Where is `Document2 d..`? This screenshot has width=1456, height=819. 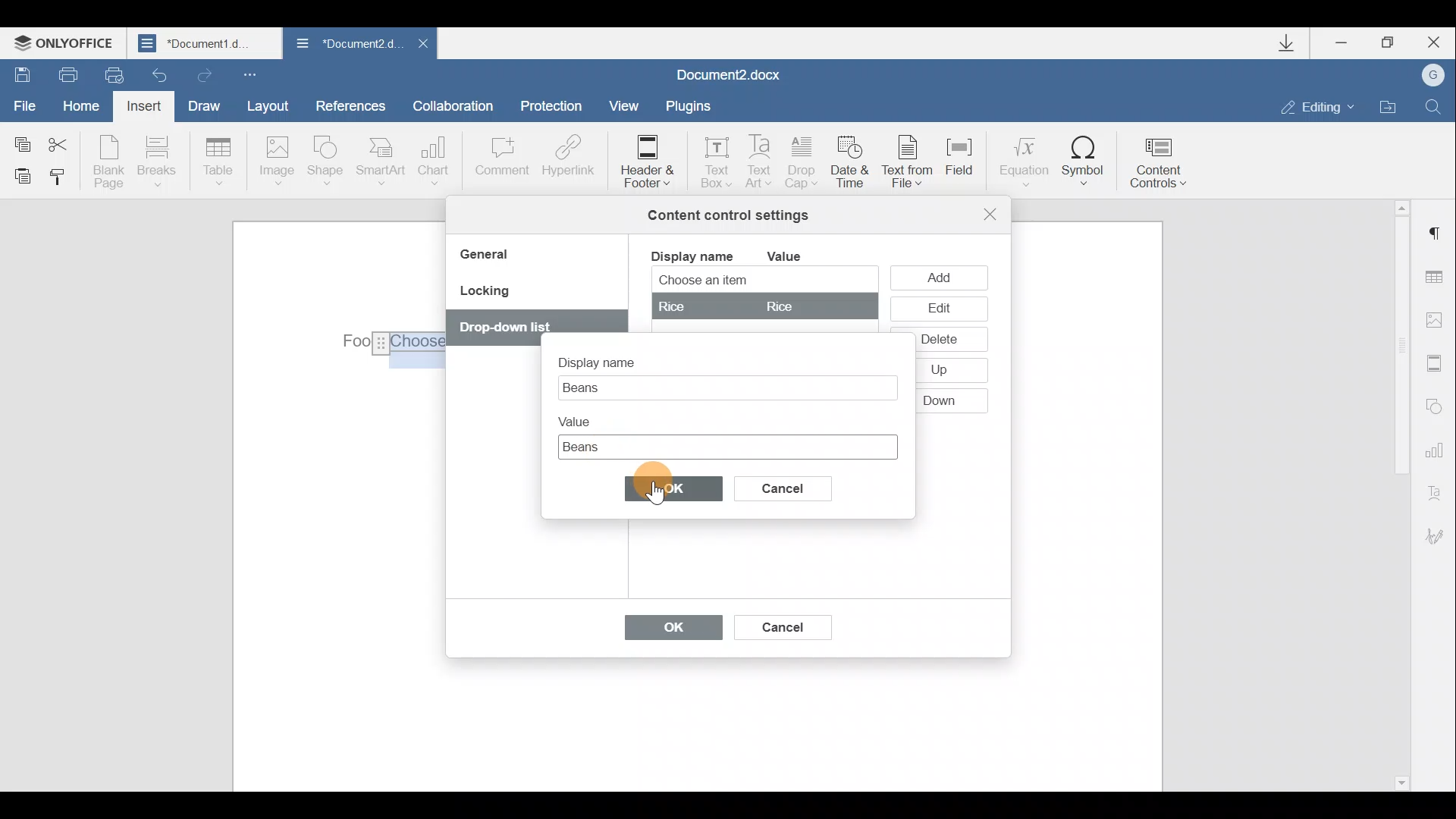 Document2 d.. is located at coordinates (347, 46).